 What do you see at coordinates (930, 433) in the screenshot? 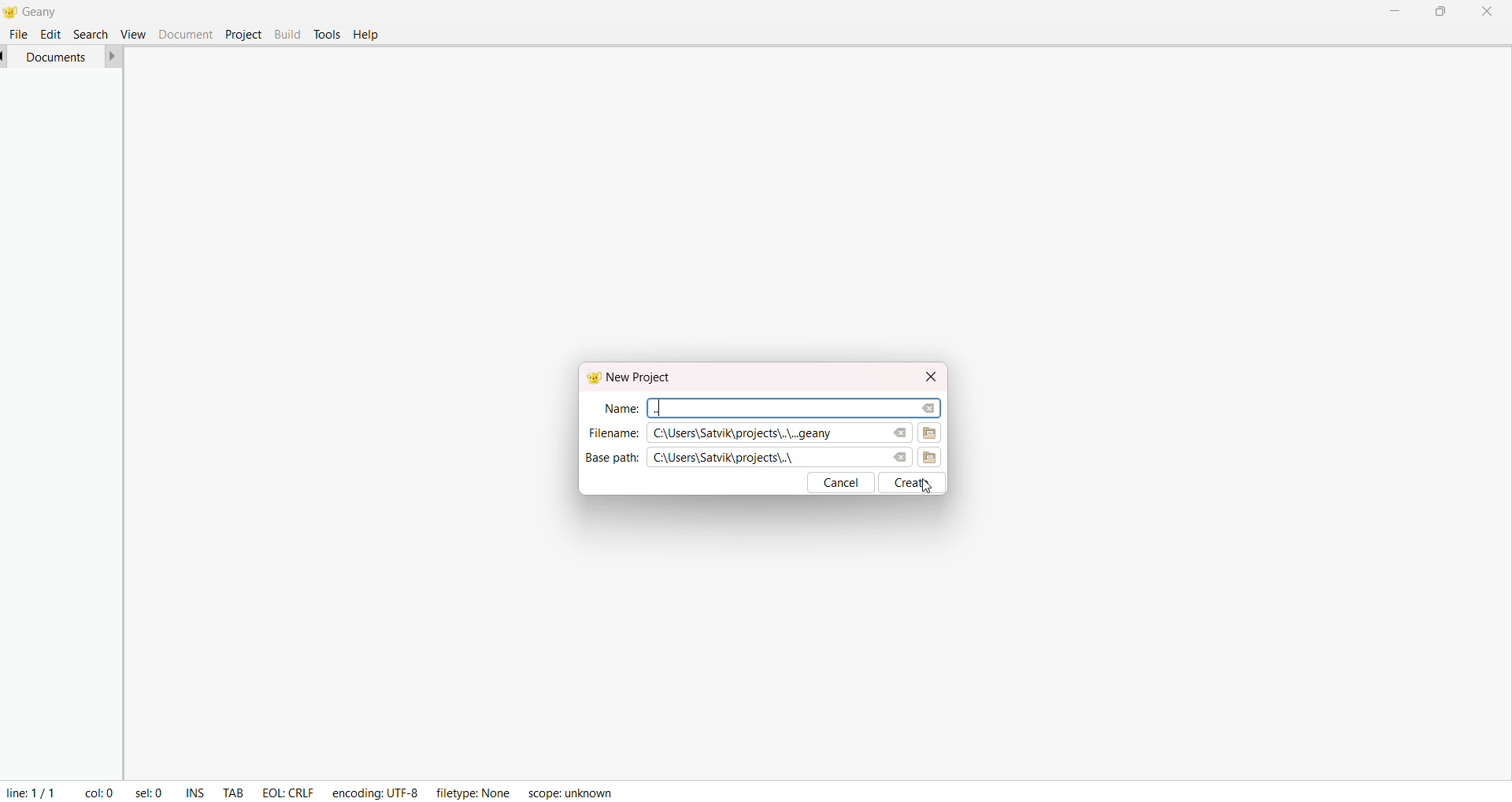
I see `browse` at bounding box center [930, 433].